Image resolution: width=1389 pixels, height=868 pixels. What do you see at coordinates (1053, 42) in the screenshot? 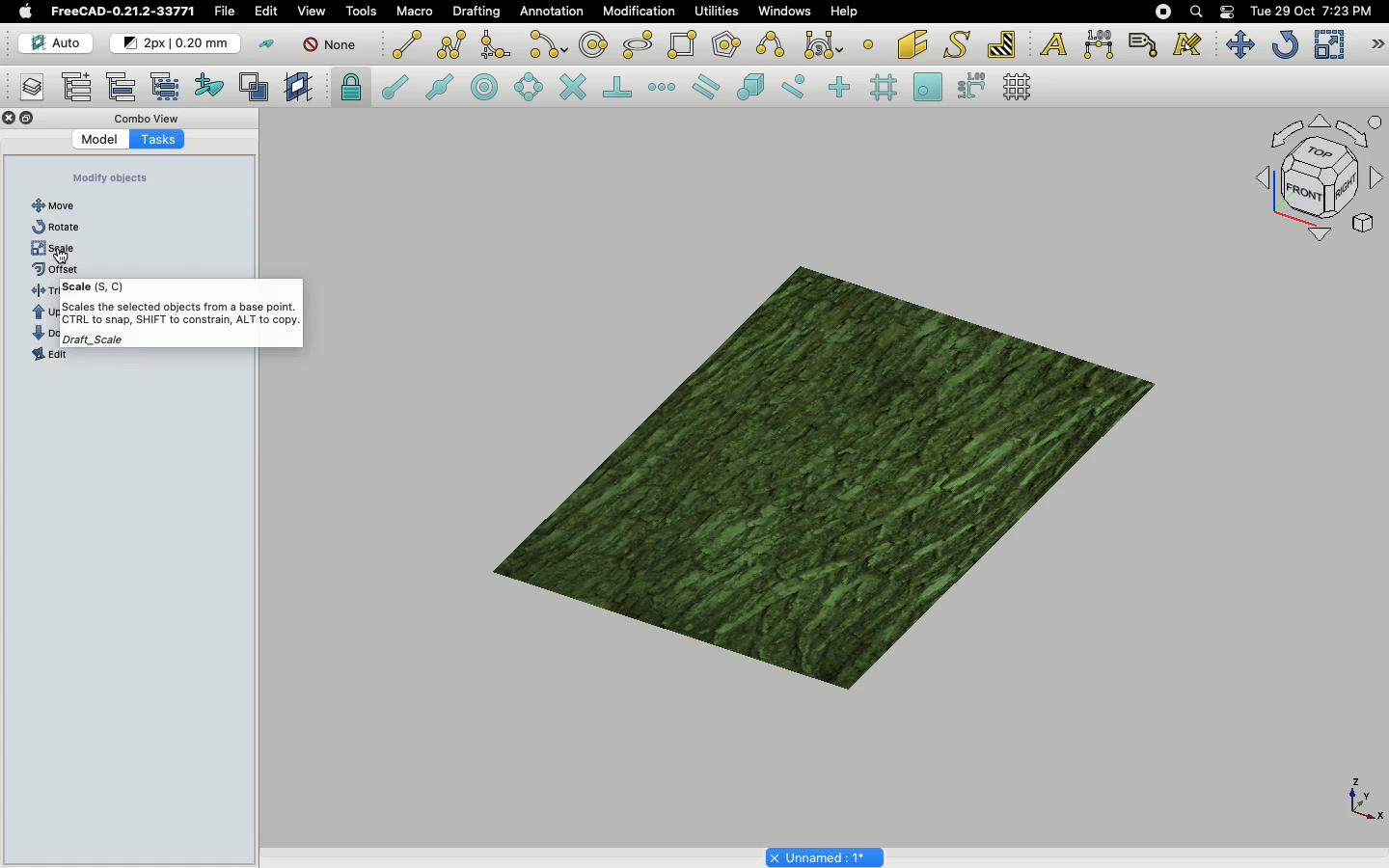
I see `Text` at bounding box center [1053, 42].